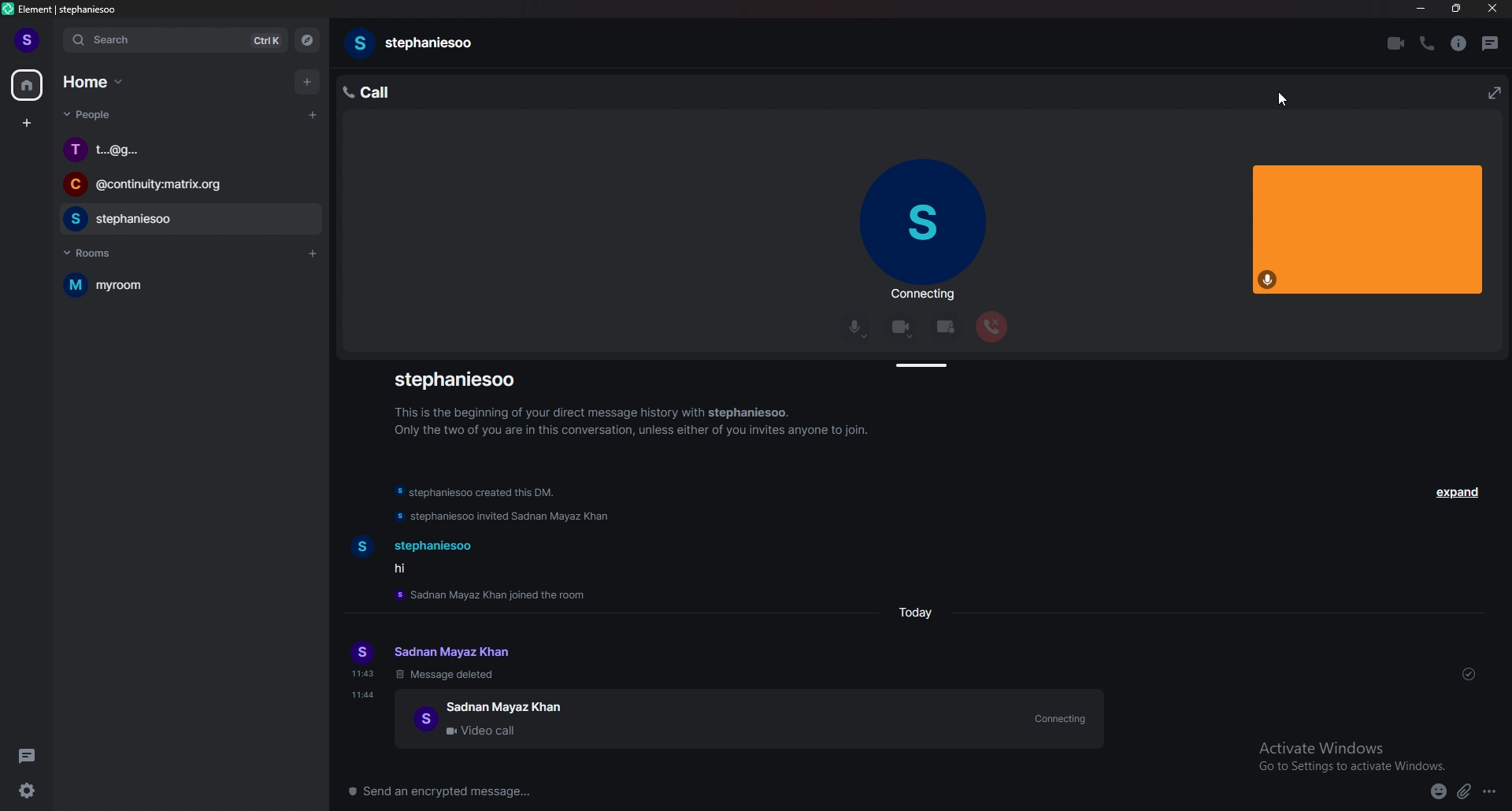  What do you see at coordinates (1459, 494) in the screenshot?
I see `expand` at bounding box center [1459, 494].